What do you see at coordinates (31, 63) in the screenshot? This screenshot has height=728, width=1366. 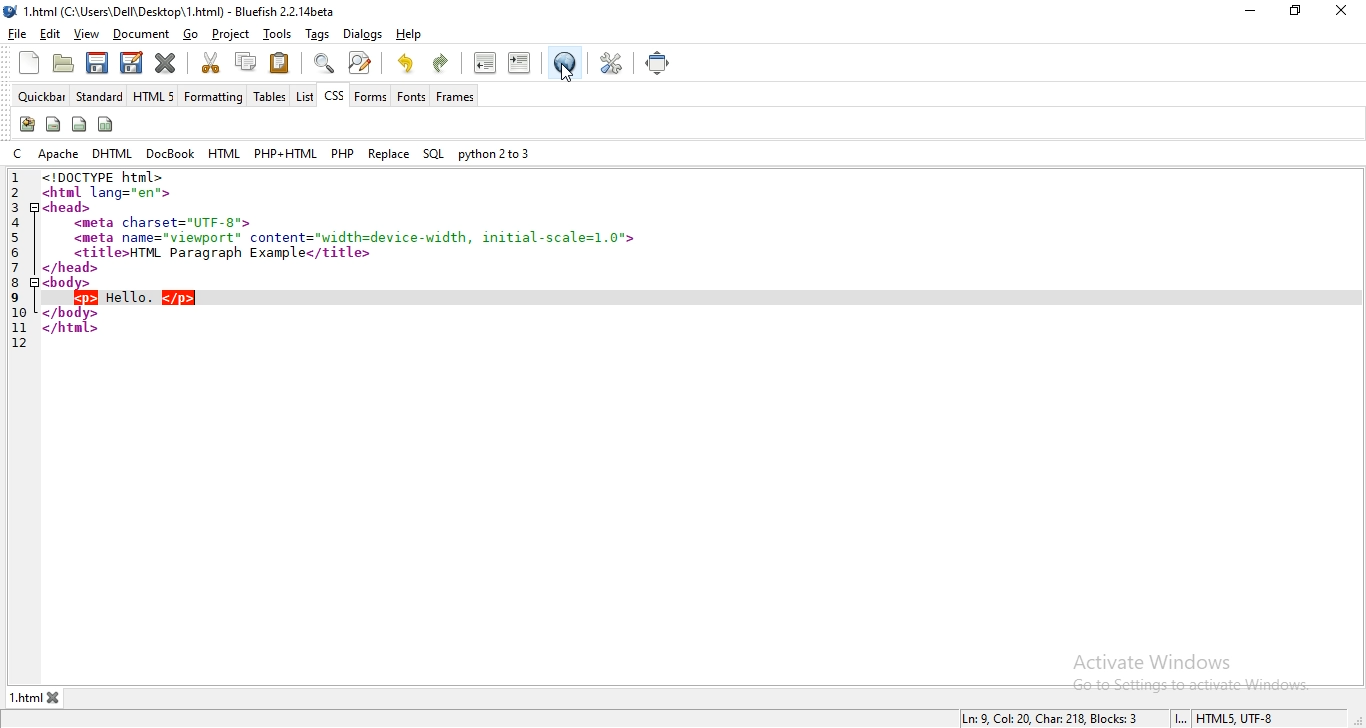 I see `new file` at bounding box center [31, 63].